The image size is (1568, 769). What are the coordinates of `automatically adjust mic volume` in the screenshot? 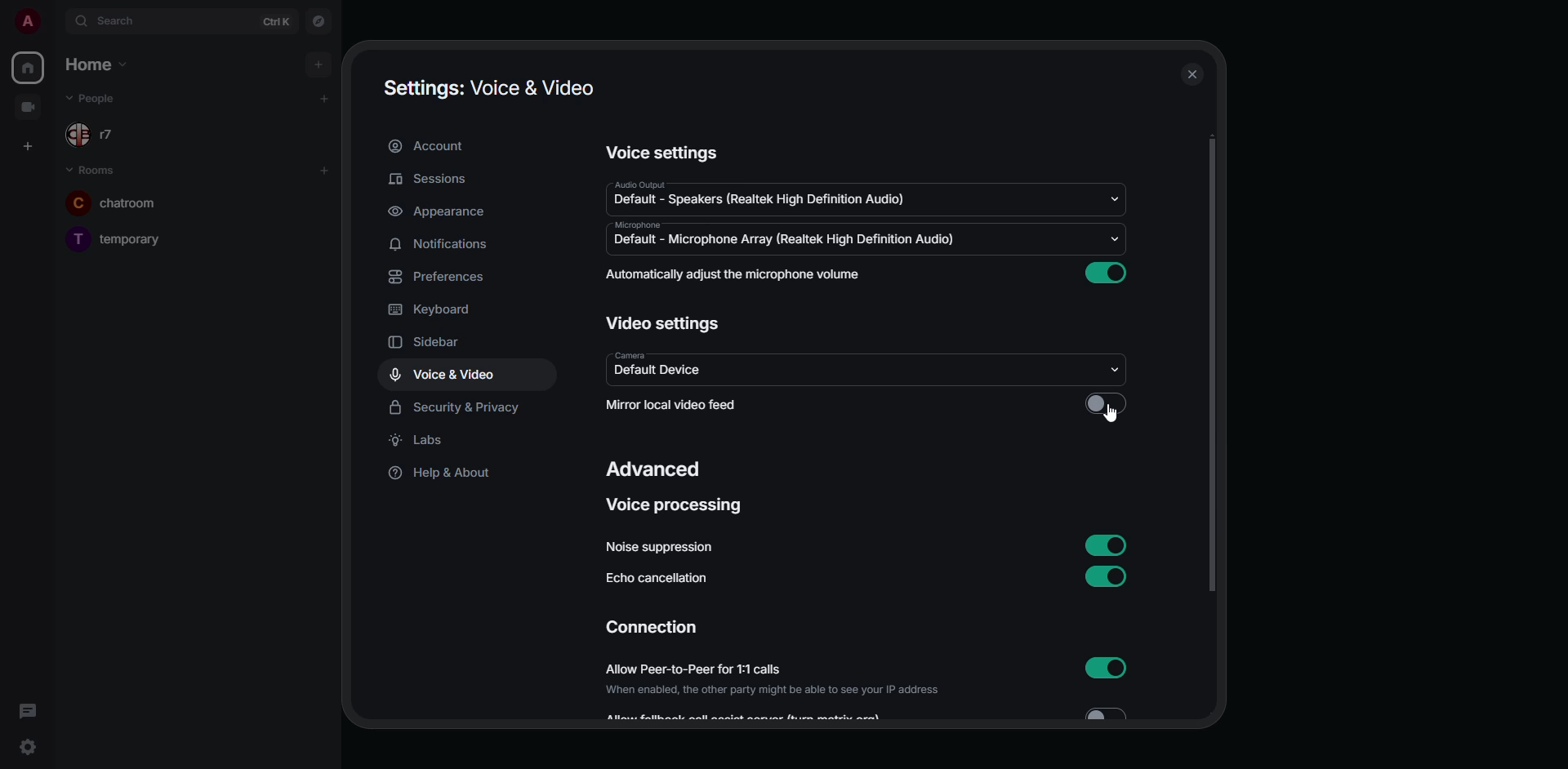 It's located at (737, 274).